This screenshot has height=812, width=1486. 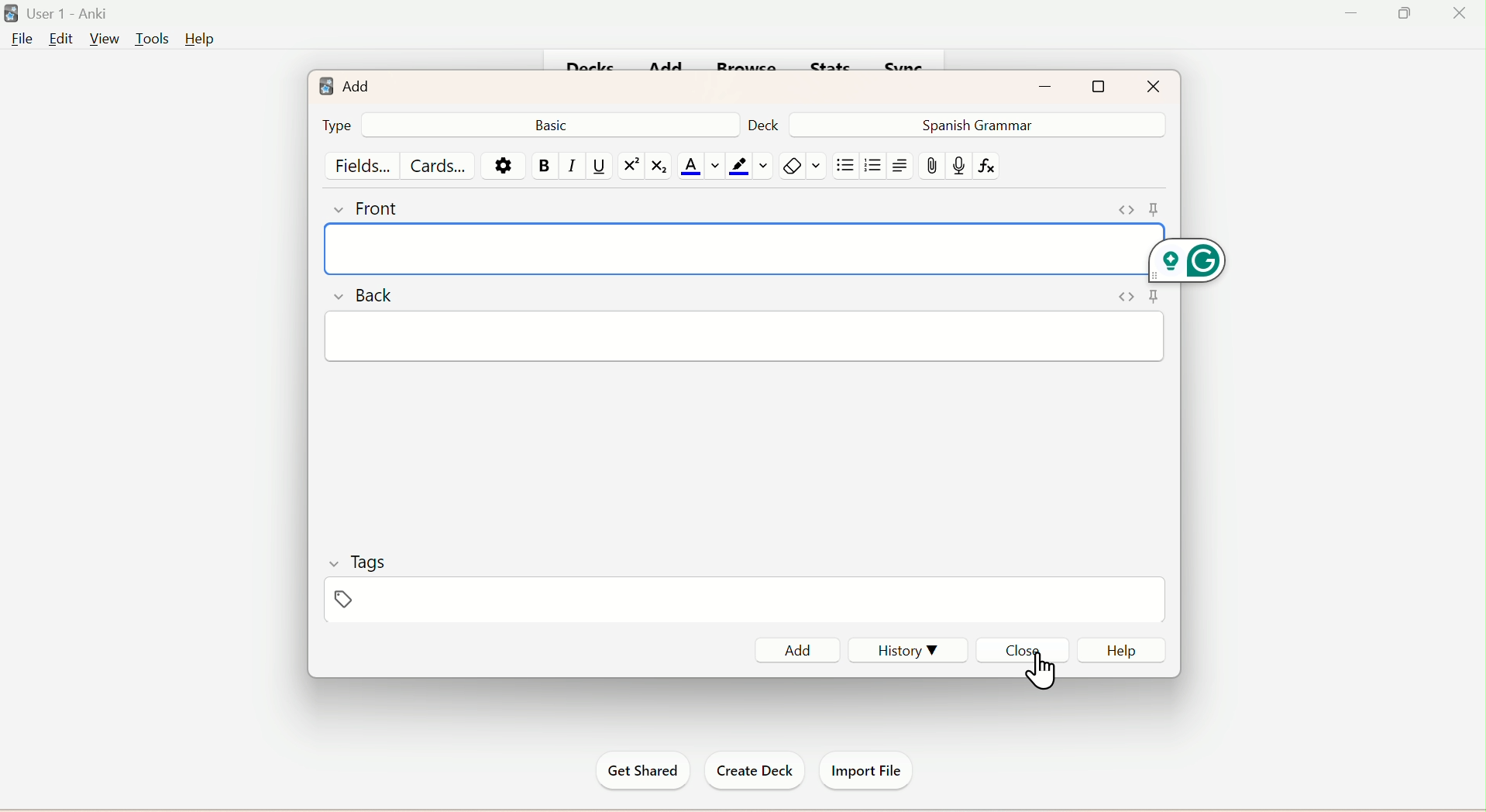 I want to click on Add, so click(x=802, y=648).